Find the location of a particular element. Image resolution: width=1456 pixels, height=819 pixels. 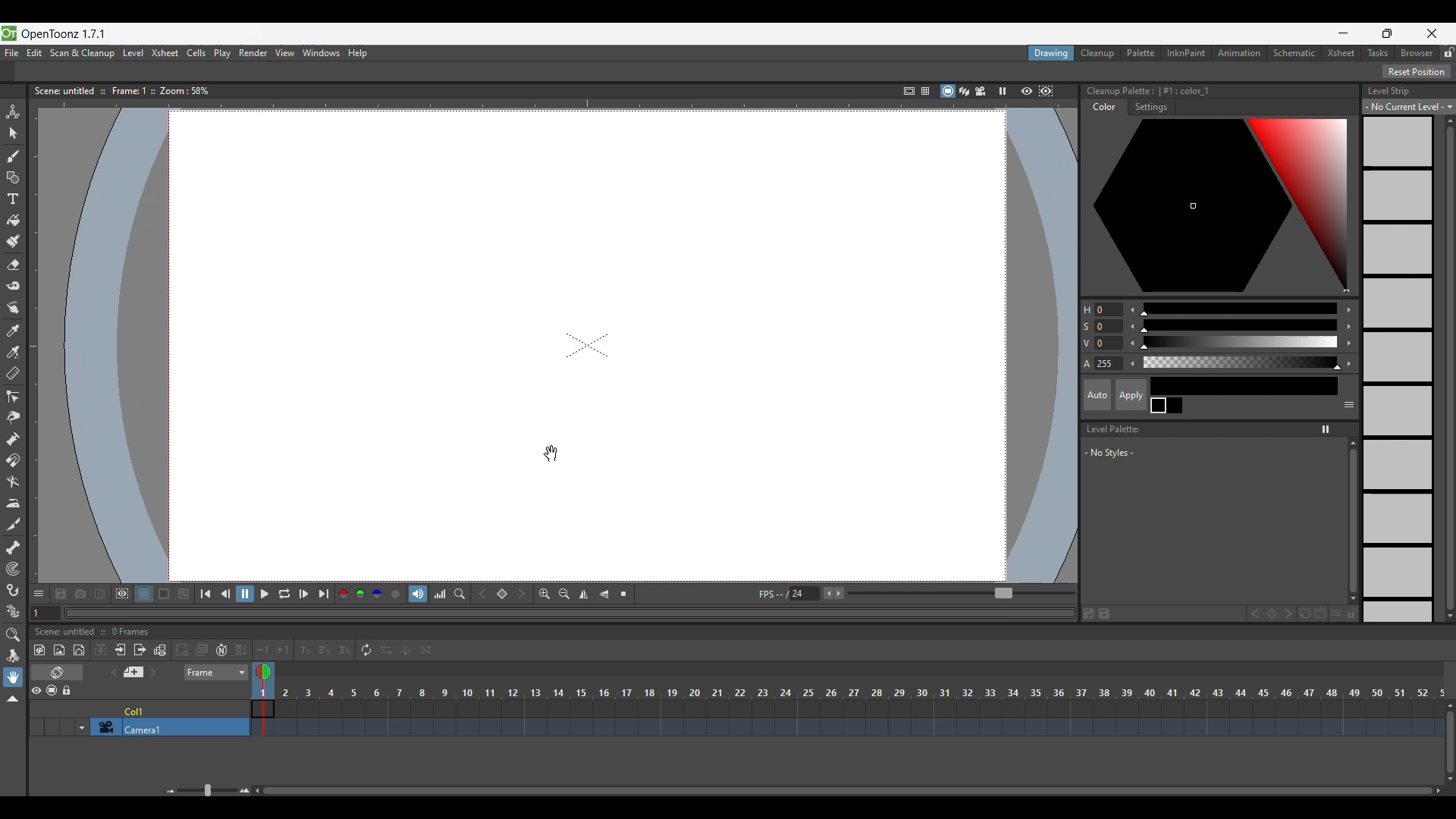

Safe area is located at coordinates (902, 89).